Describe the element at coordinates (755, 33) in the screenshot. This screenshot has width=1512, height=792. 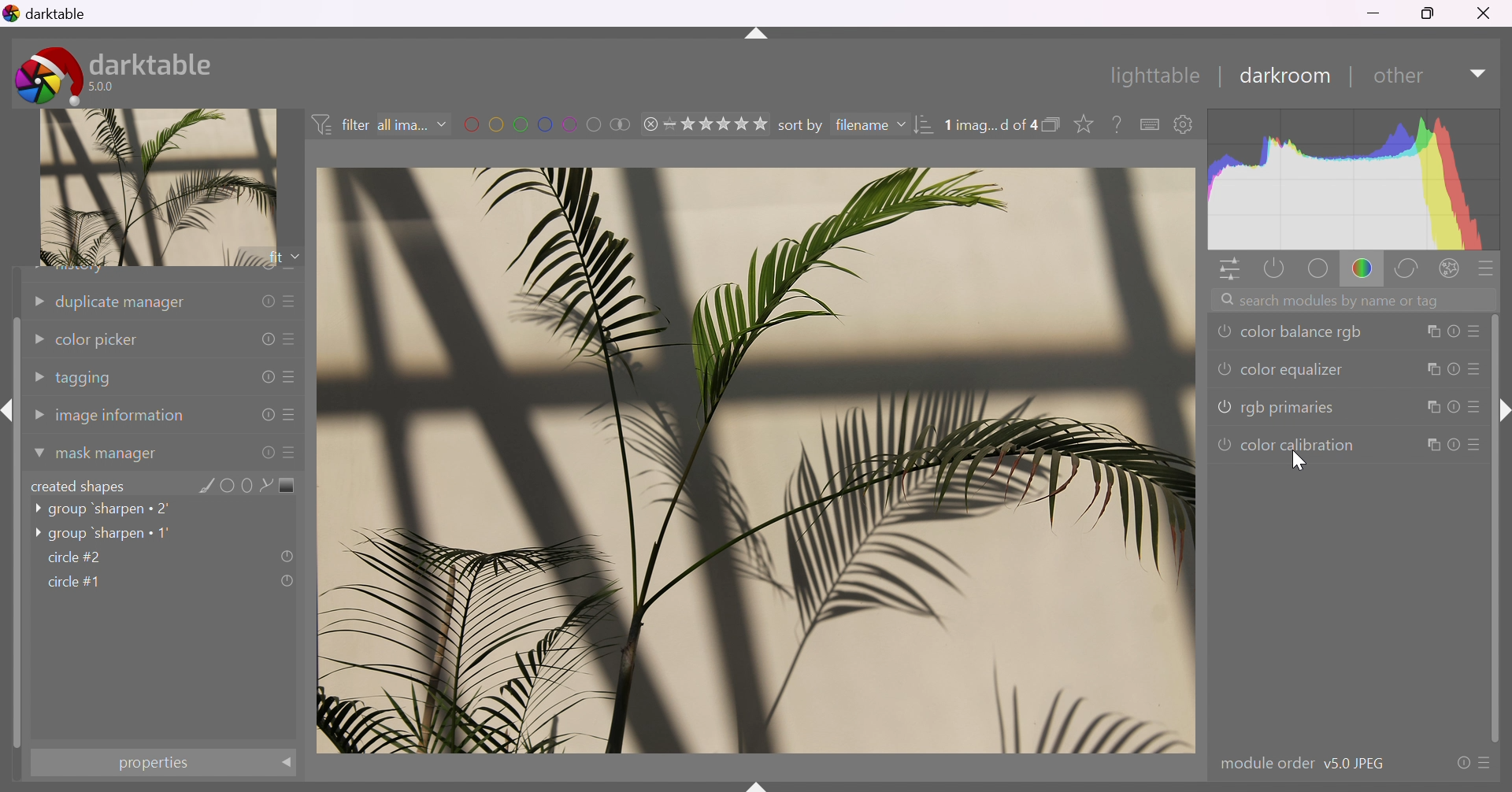
I see `more` at that location.